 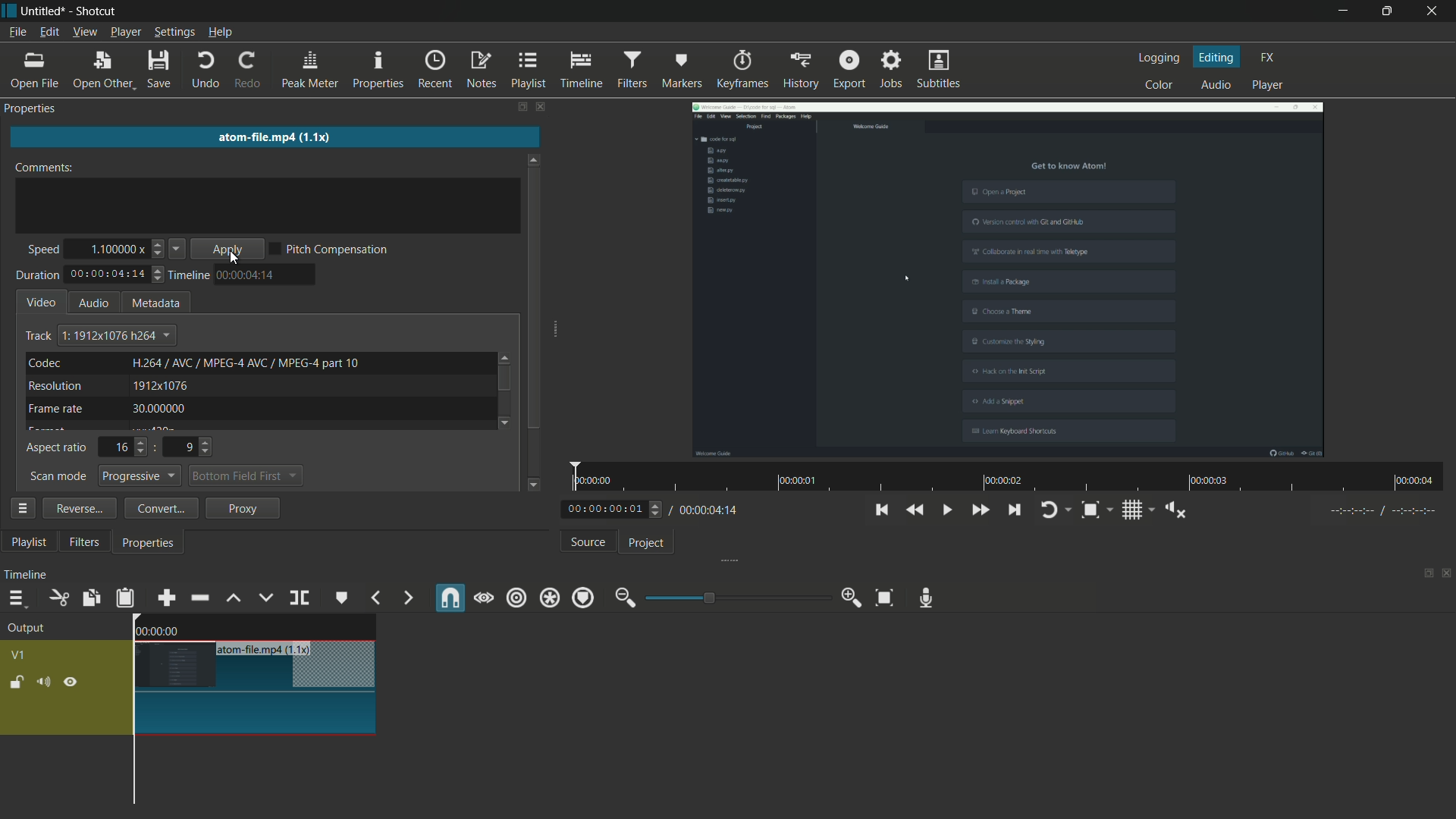 I want to click on keyframes, so click(x=742, y=68).